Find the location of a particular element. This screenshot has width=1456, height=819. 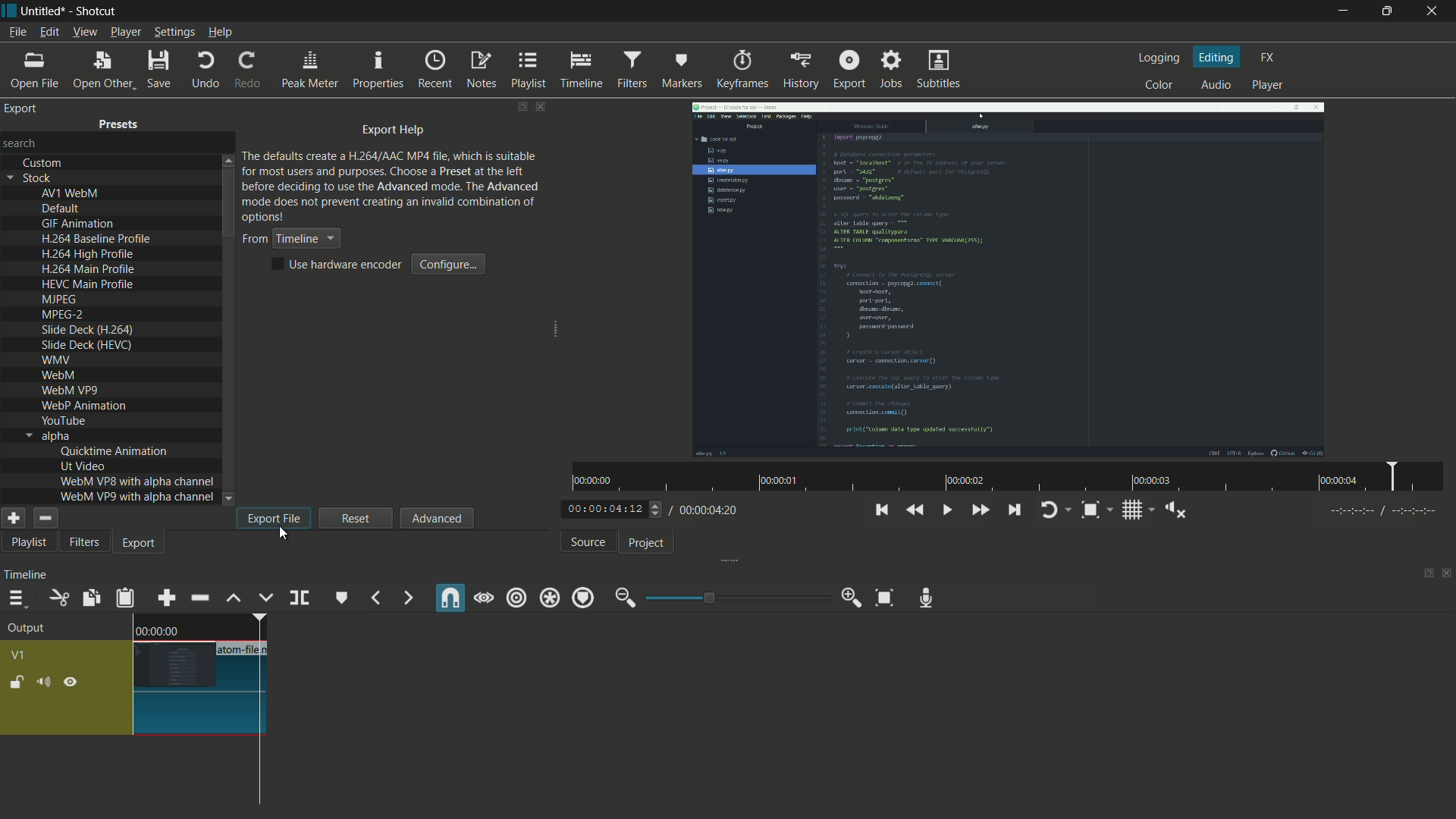

keyframes is located at coordinates (743, 70).